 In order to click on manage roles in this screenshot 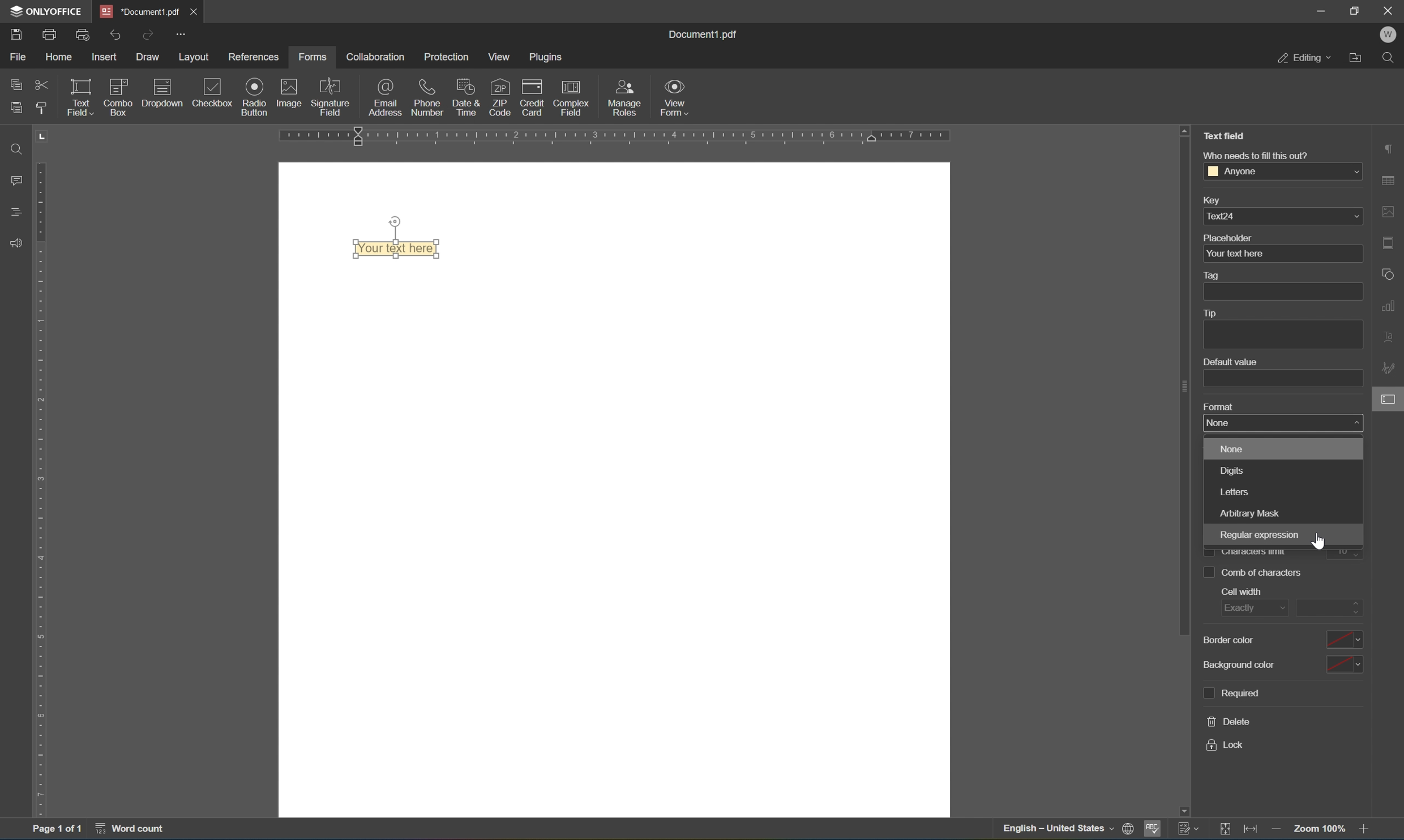, I will do `click(627, 98)`.